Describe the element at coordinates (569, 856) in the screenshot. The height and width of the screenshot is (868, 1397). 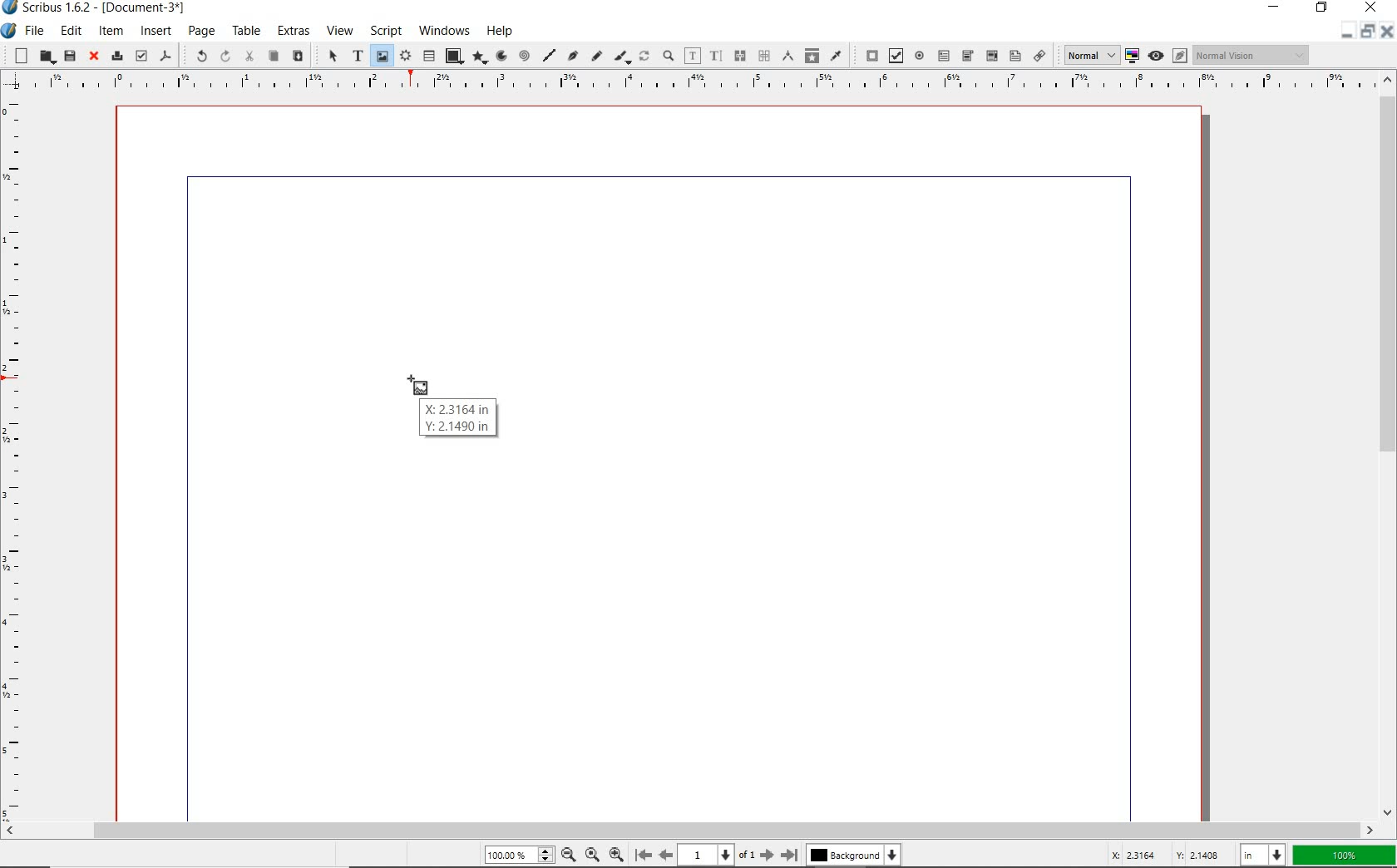
I see `zoom out` at that location.